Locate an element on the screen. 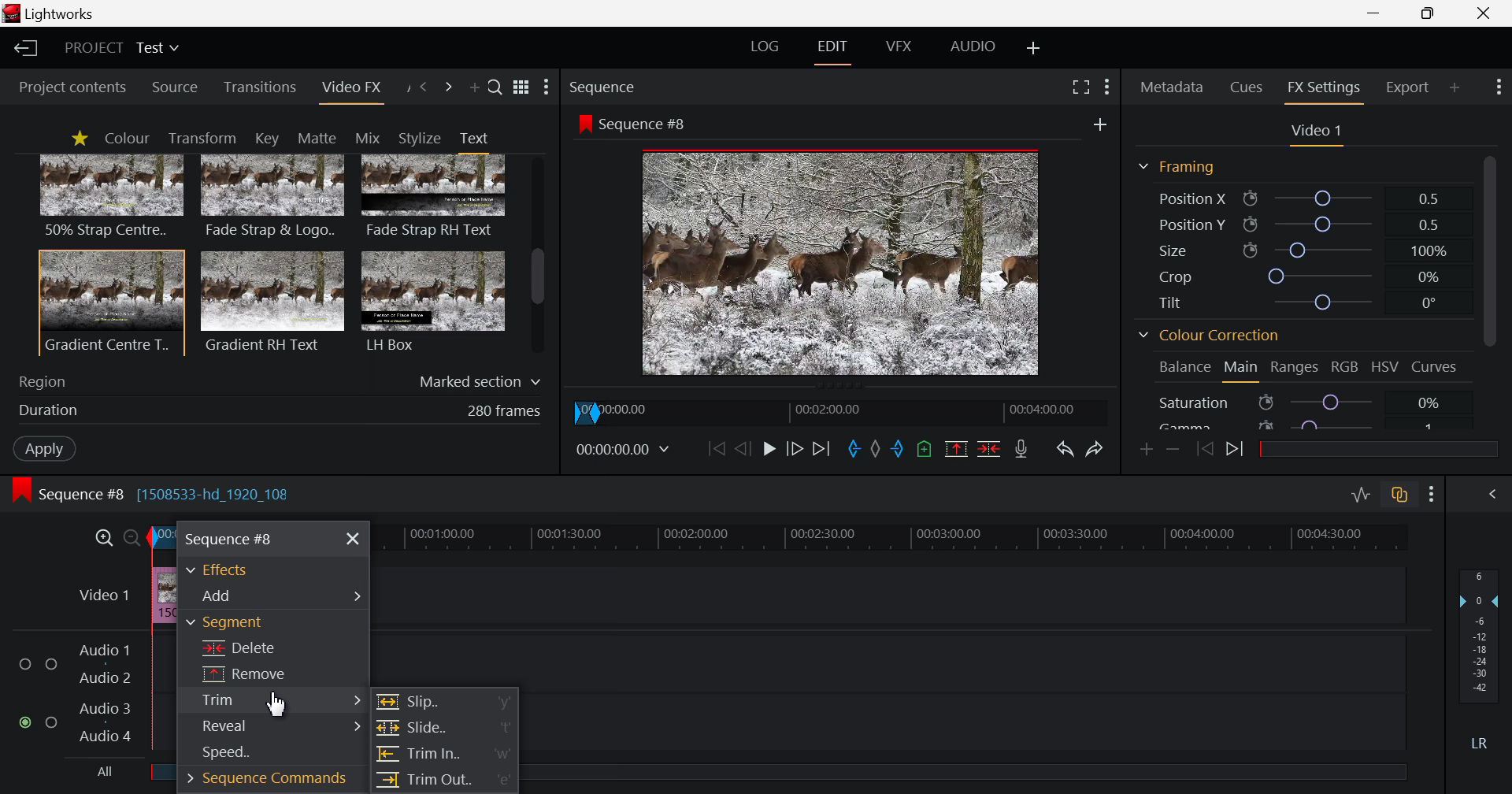  To start is located at coordinates (714, 451).